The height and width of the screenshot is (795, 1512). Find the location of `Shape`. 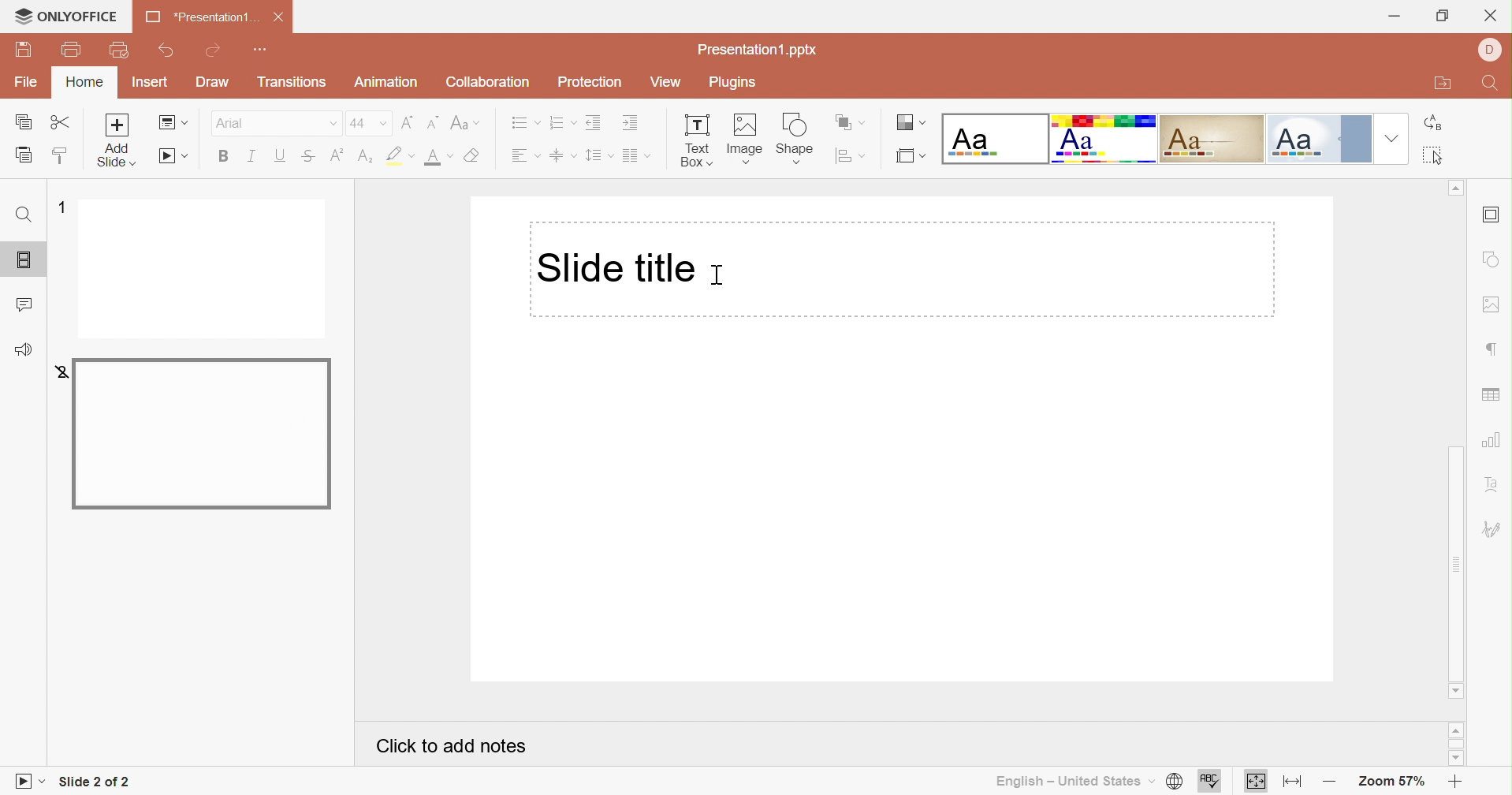

Shape is located at coordinates (797, 140).